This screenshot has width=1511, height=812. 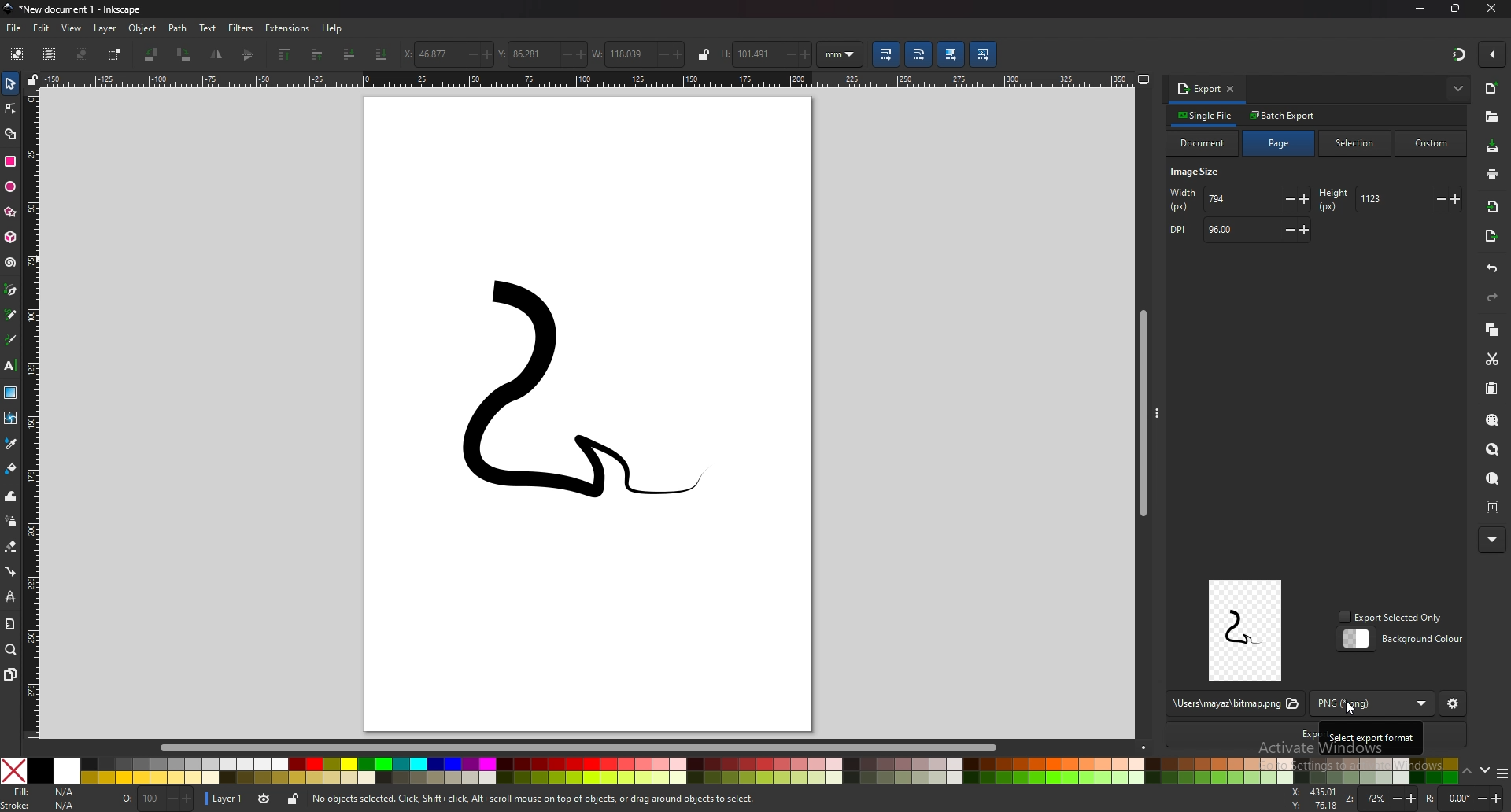 What do you see at coordinates (10, 570) in the screenshot?
I see `connector` at bounding box center [10, 570].